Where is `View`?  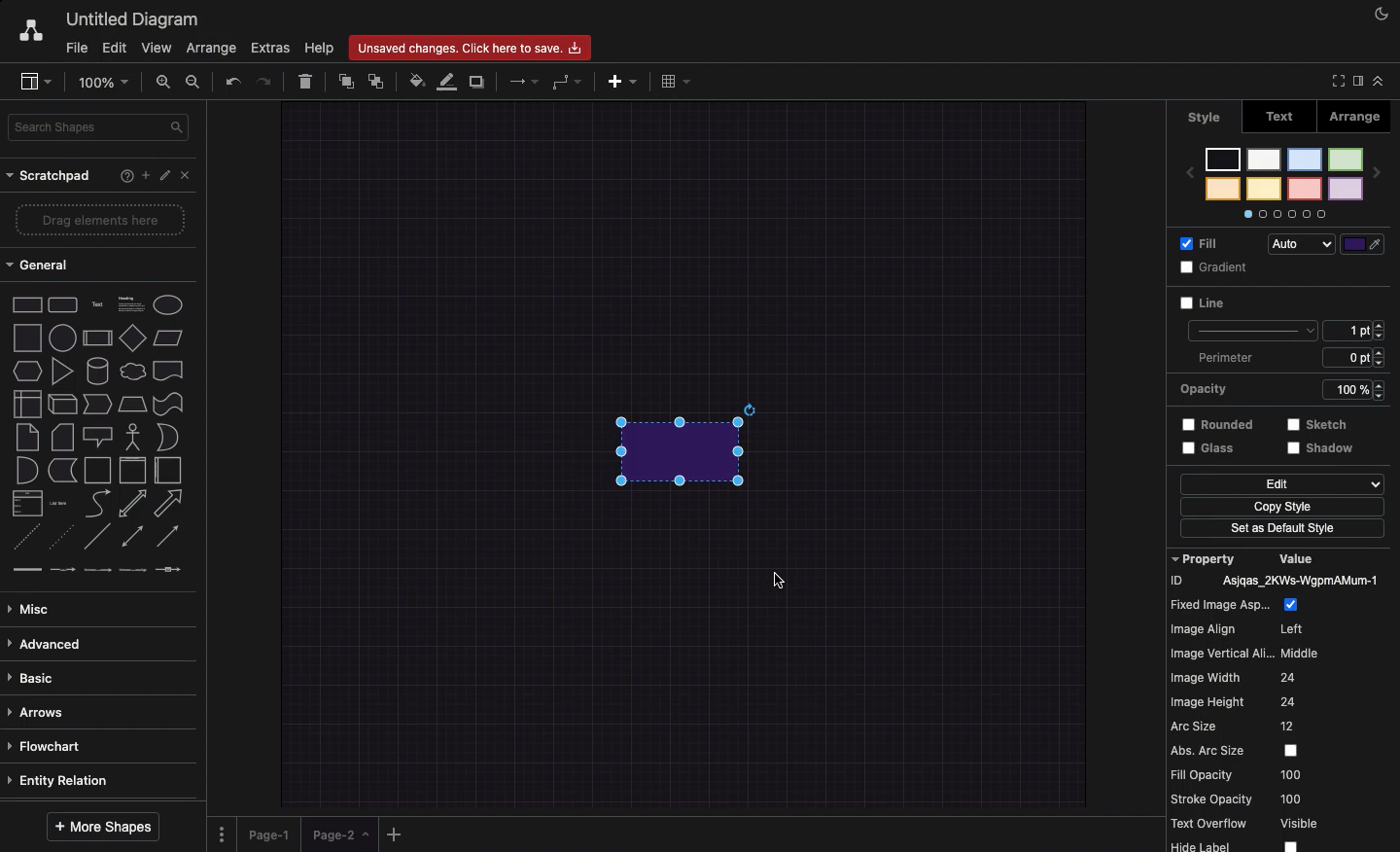 View is located at coordinates (158, 47).